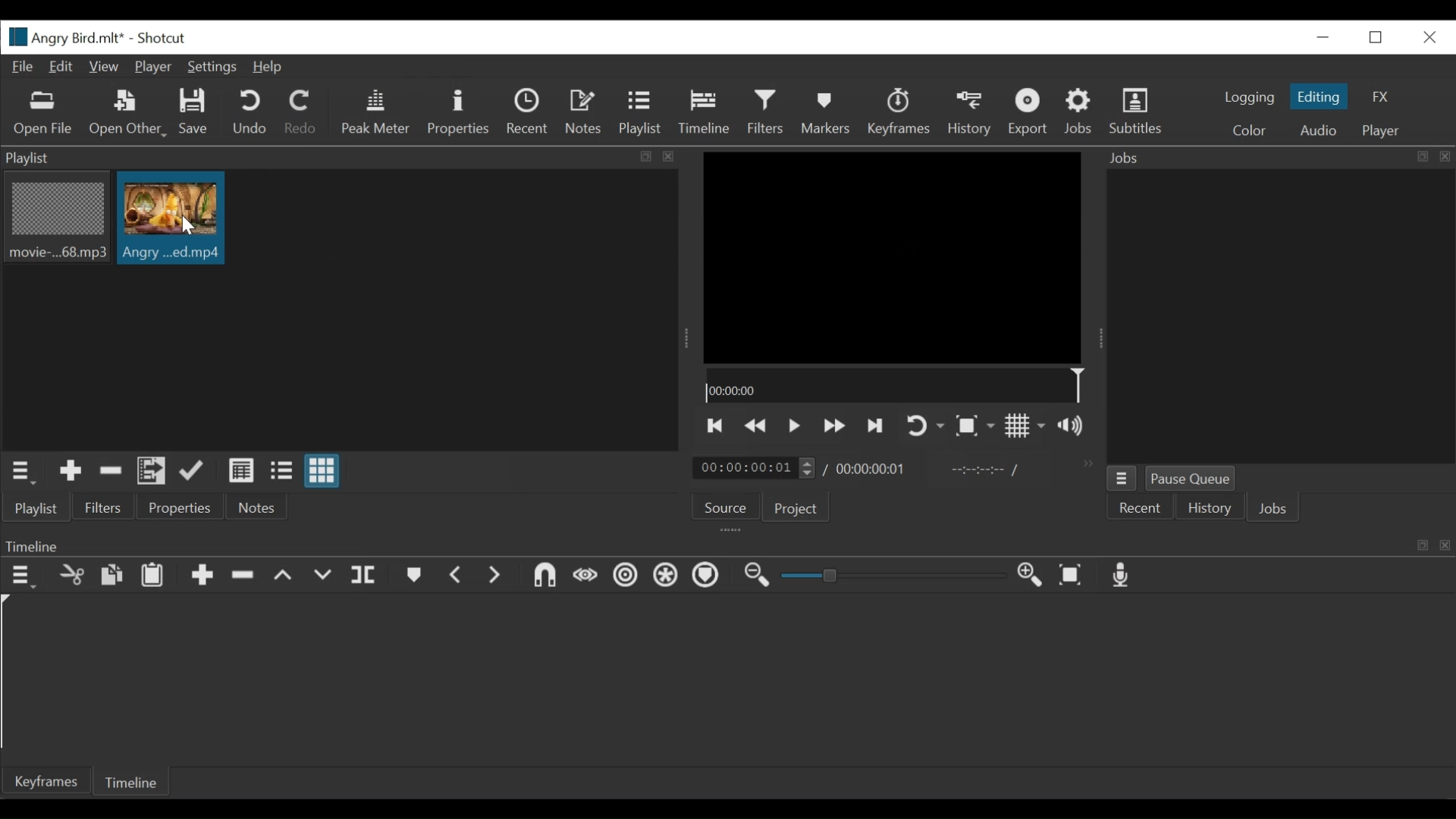 This screenshot has height=819, width=1456. Describe the element at coordinates (585, 112) in the screenshot. I see `Notes` at that location.